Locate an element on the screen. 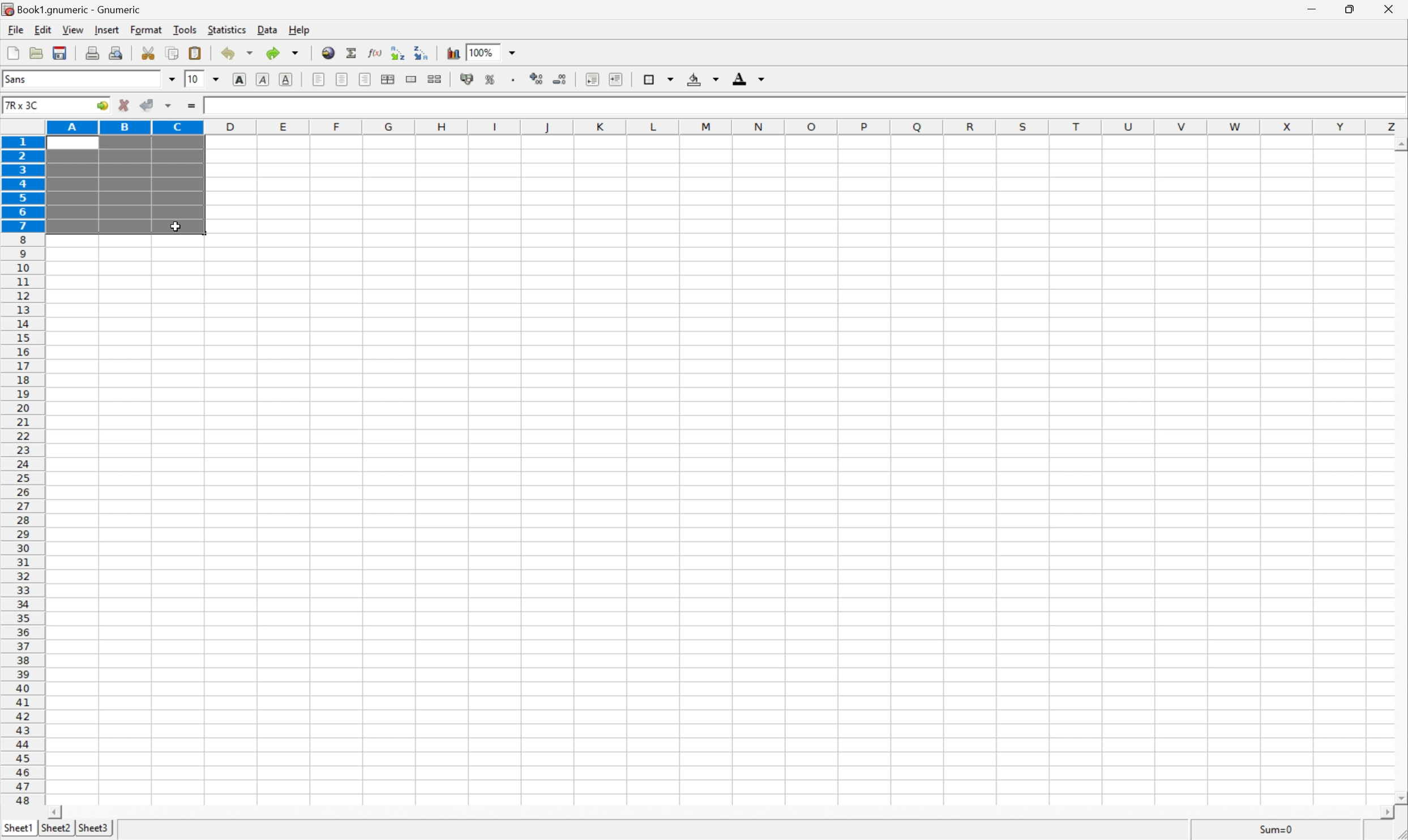 The image size is (1408, 840). foreground color is located at coordinates (749, 78).